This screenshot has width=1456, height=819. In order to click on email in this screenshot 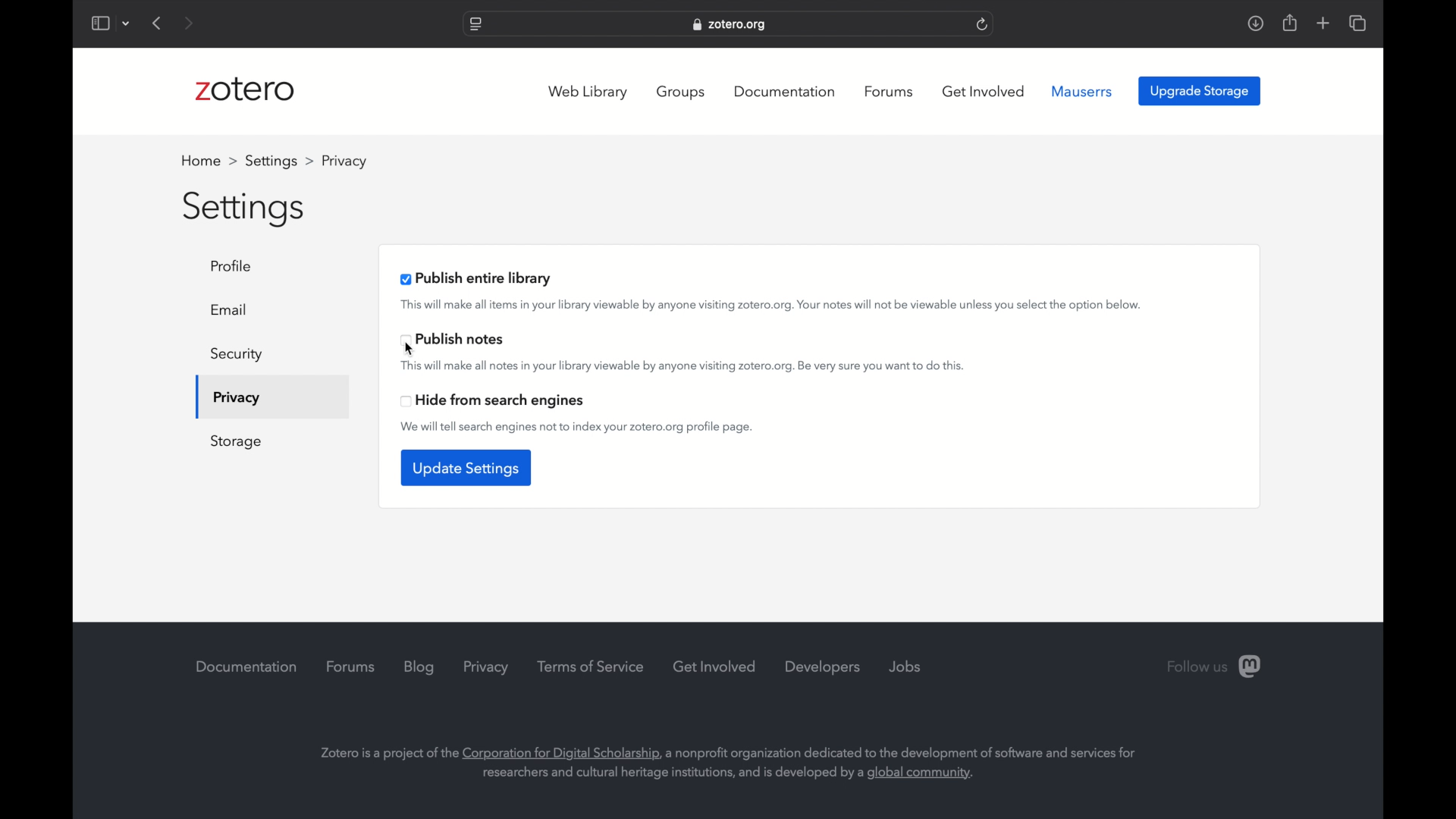, I will do `click(231, 309)`.